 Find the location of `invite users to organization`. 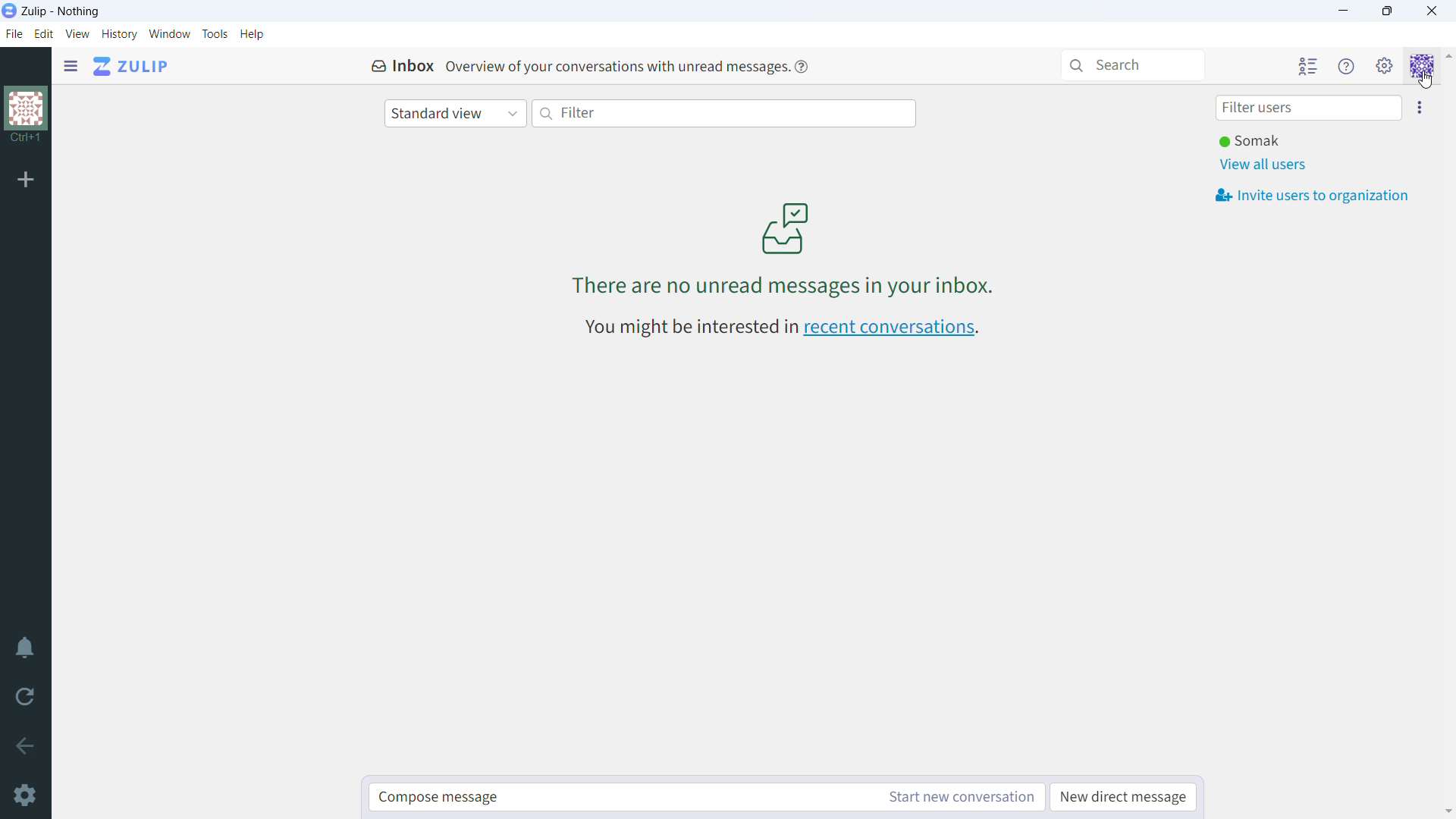

invite users to organization is located at coordinates (1313, 196).